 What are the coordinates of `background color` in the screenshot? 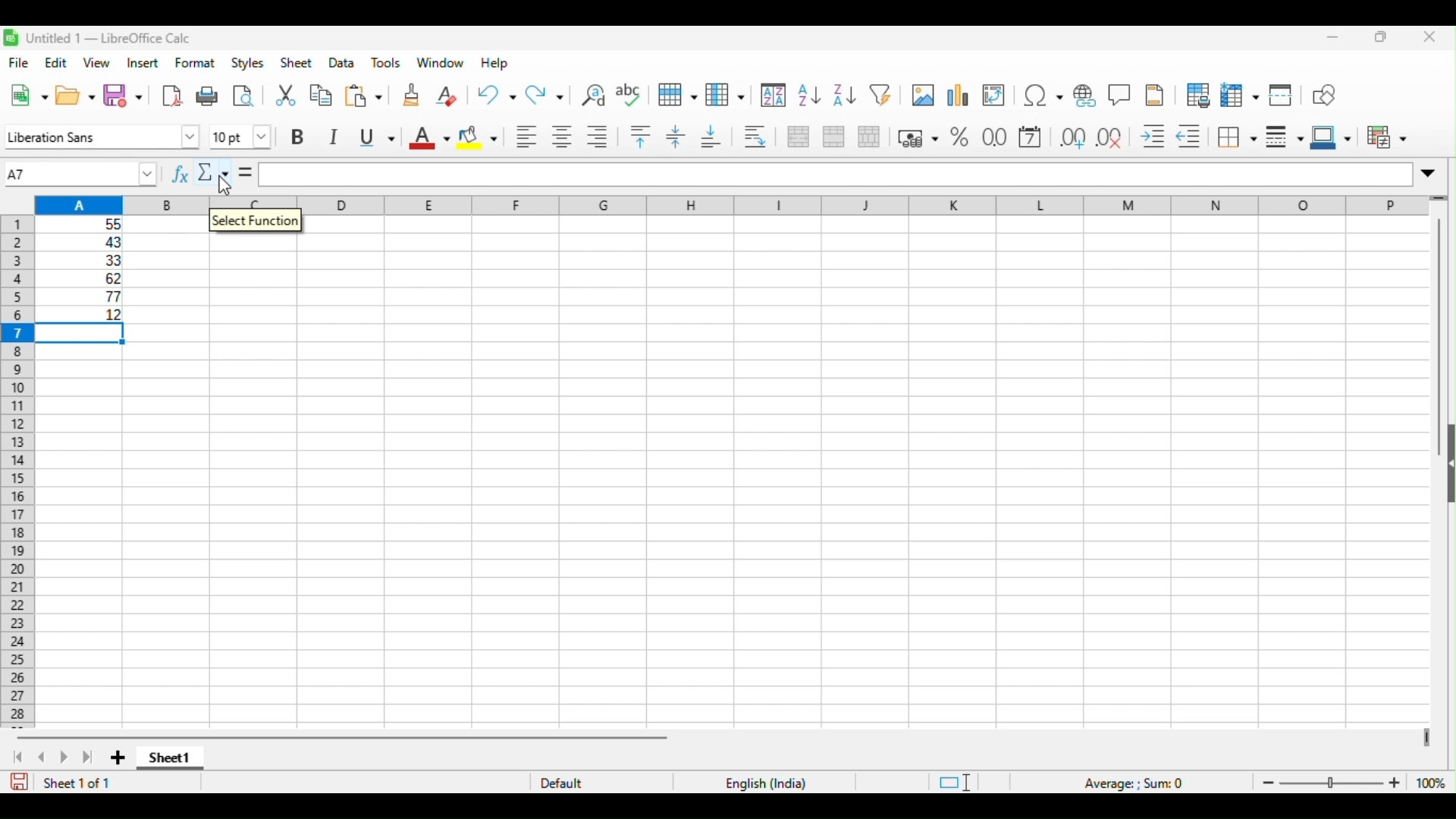 It's located at (478, 137).